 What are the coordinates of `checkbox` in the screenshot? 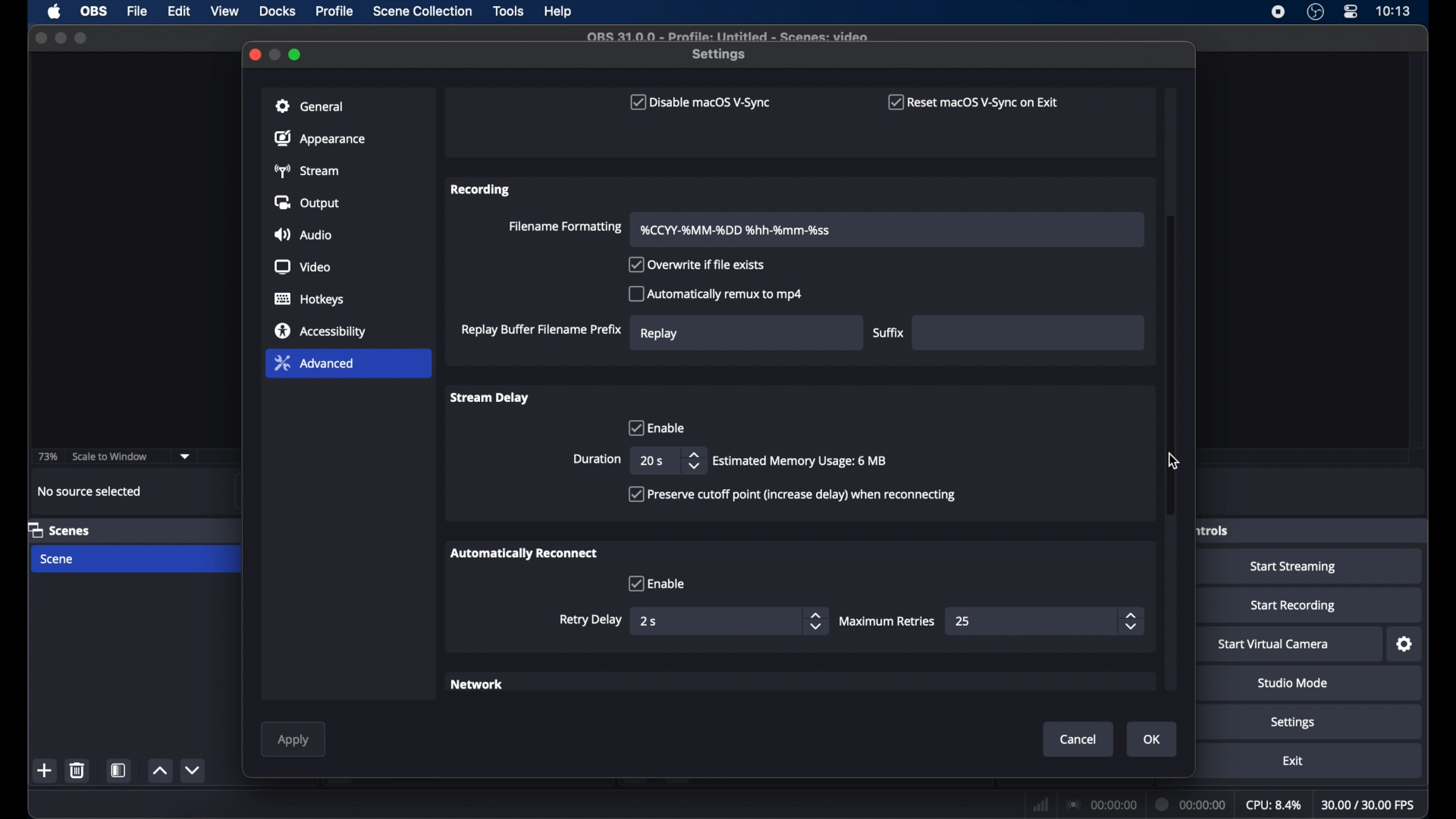 It's located at (792, 494).